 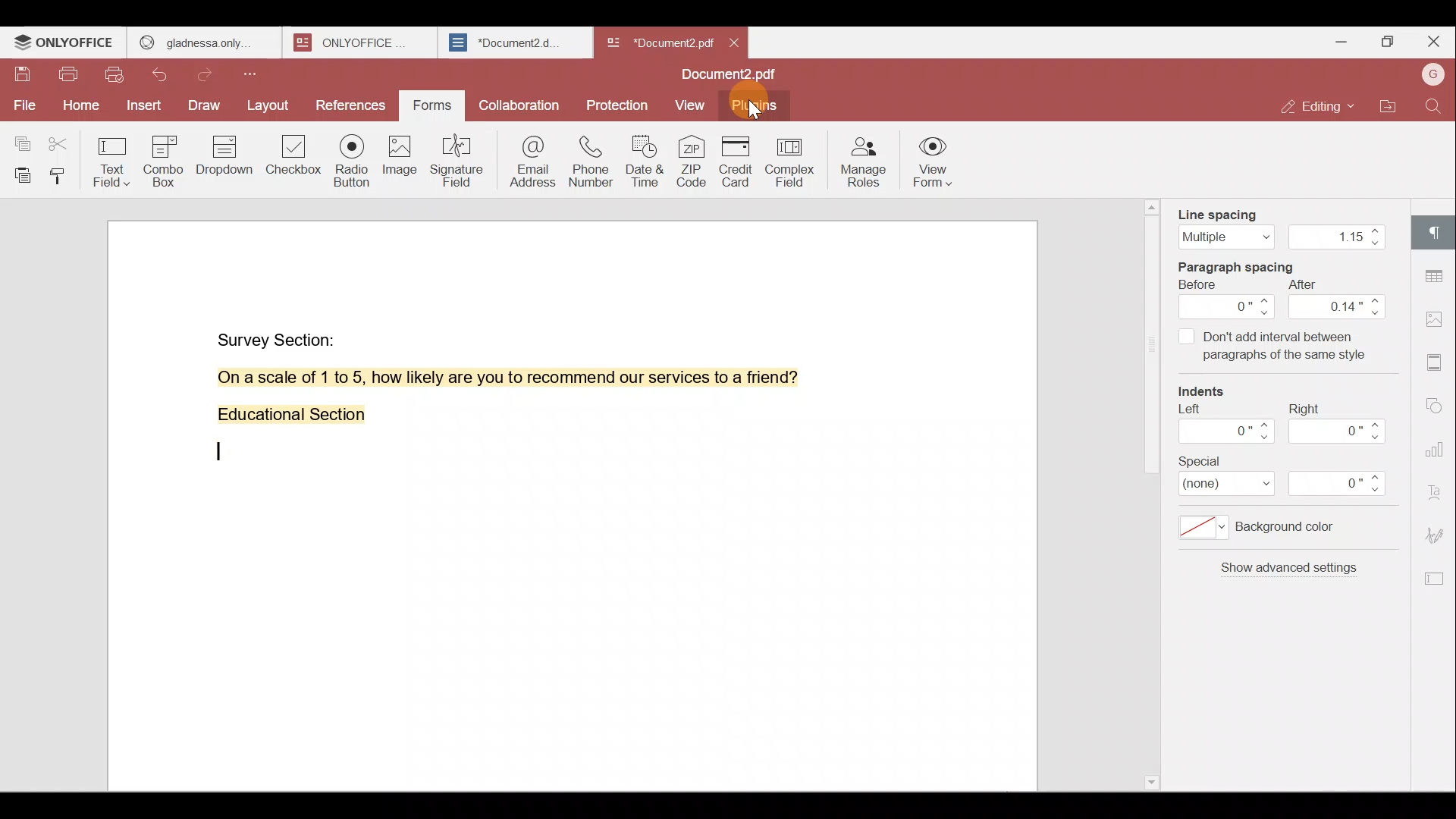 I want to click on close, so click(x=734, y=42).